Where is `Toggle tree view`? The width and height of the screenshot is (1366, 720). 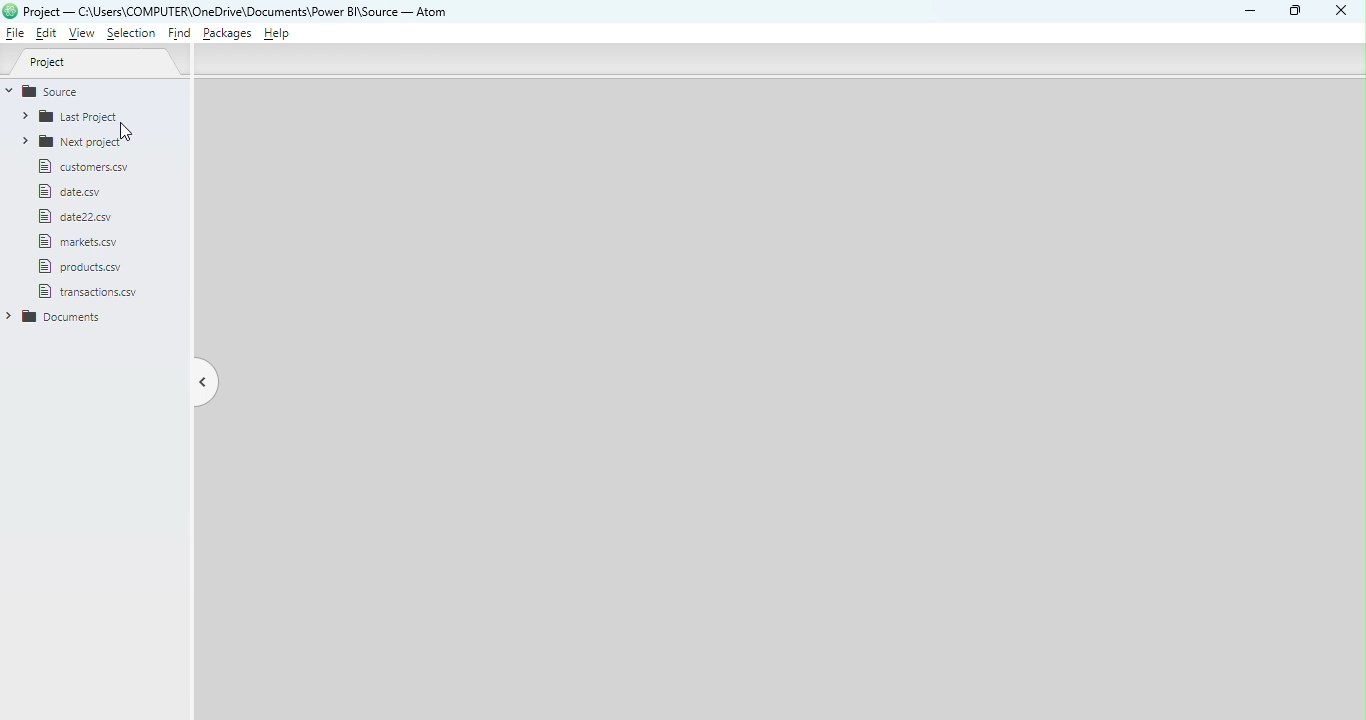 Toggle tree view is located at coordinates (206, 383).